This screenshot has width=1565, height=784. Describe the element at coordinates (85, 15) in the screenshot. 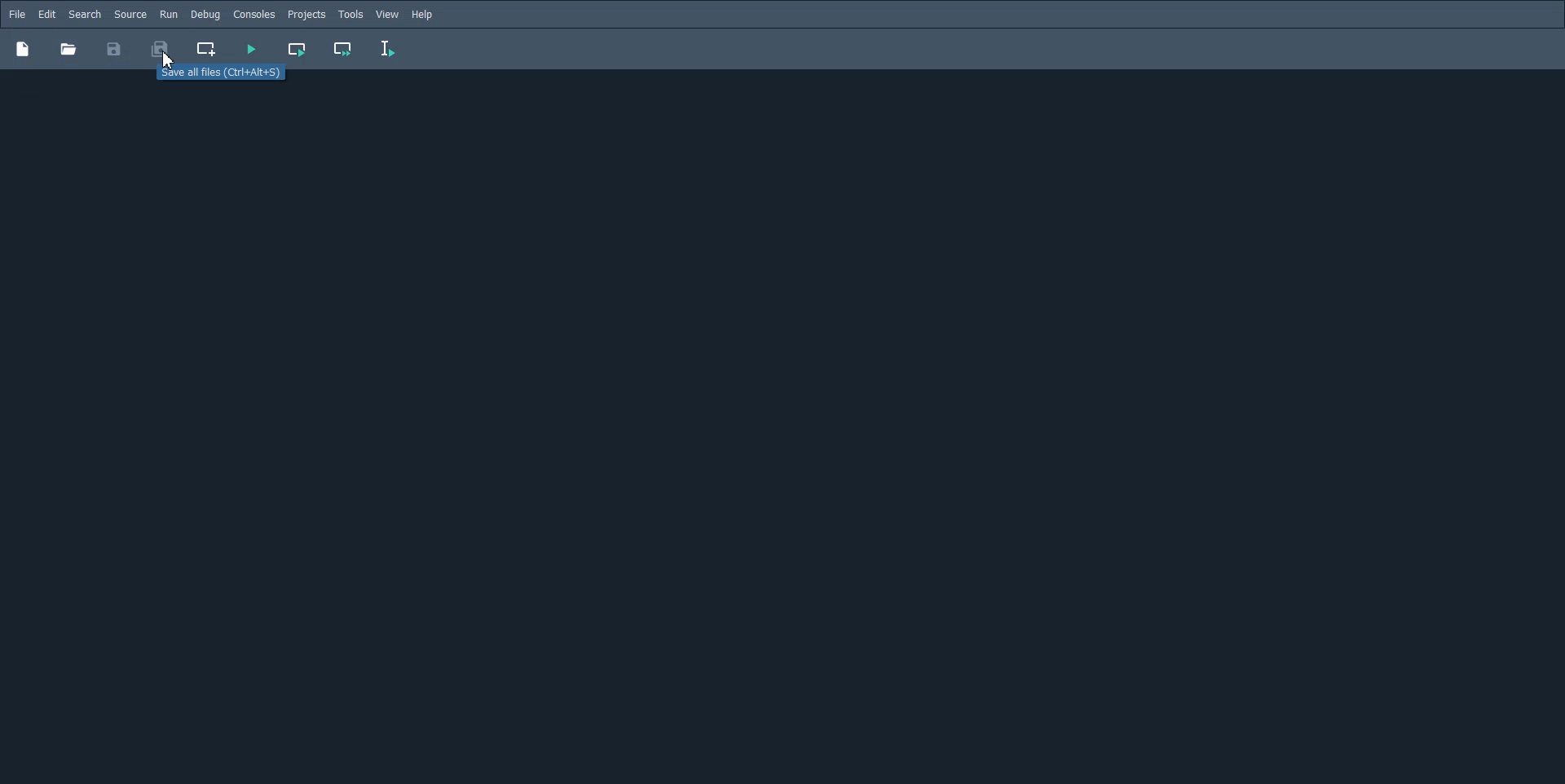

I see `Search` at that location.